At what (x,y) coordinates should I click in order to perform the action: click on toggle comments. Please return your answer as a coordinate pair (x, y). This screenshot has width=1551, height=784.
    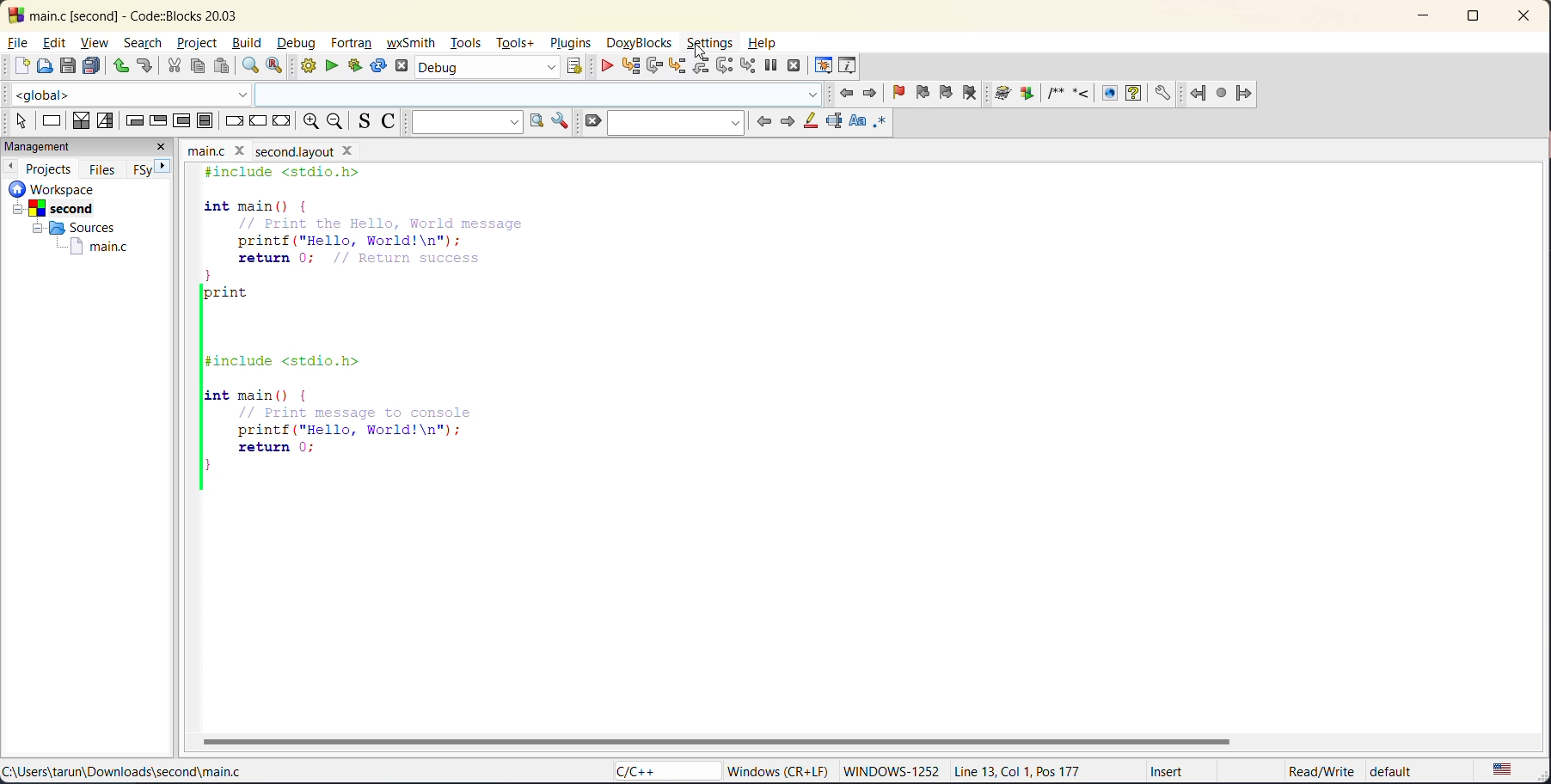
    Looking at the image, I should click on (394, 121).